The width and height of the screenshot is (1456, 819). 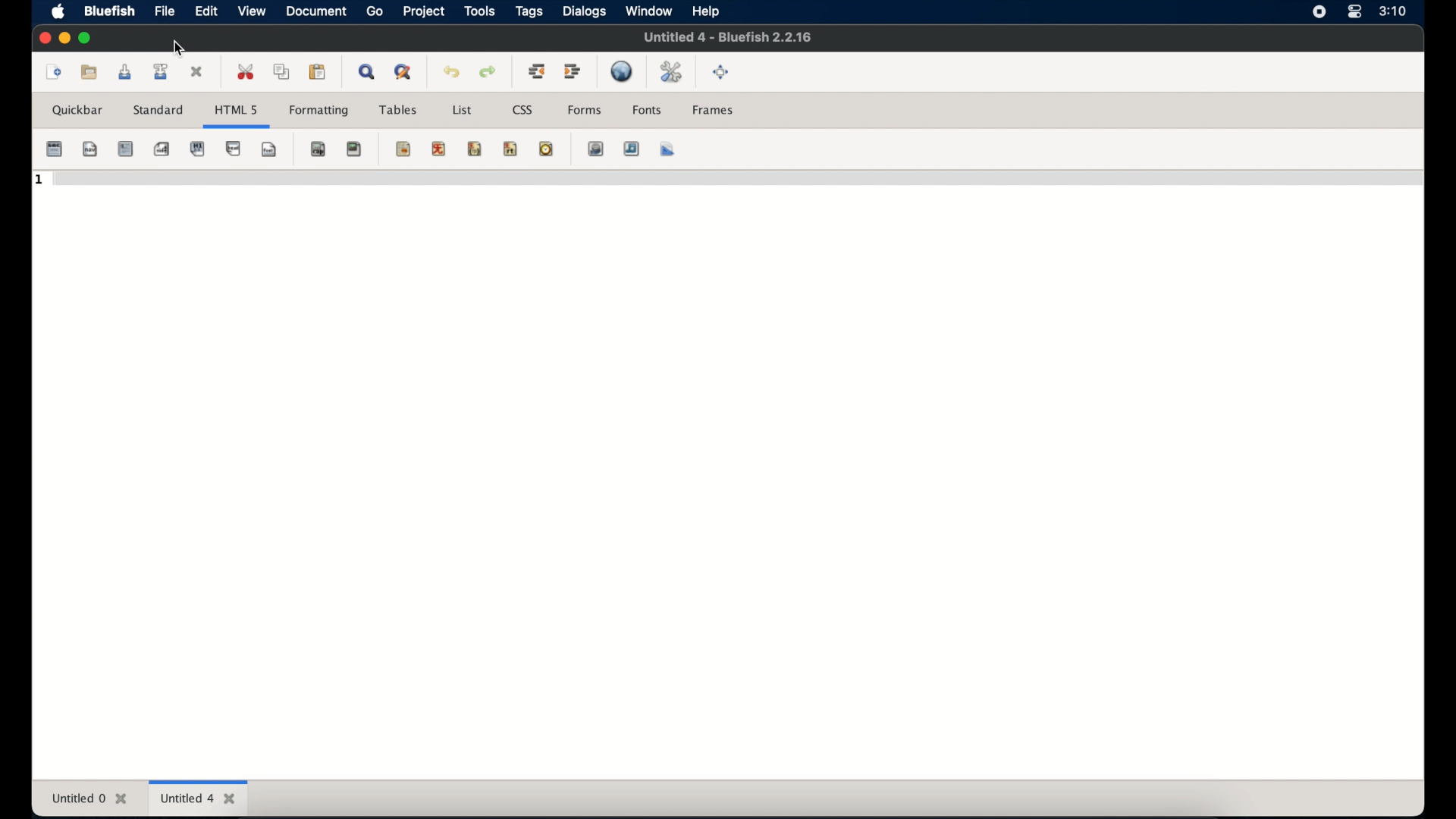 I want to click on insert image, so click(x=598, y=149).